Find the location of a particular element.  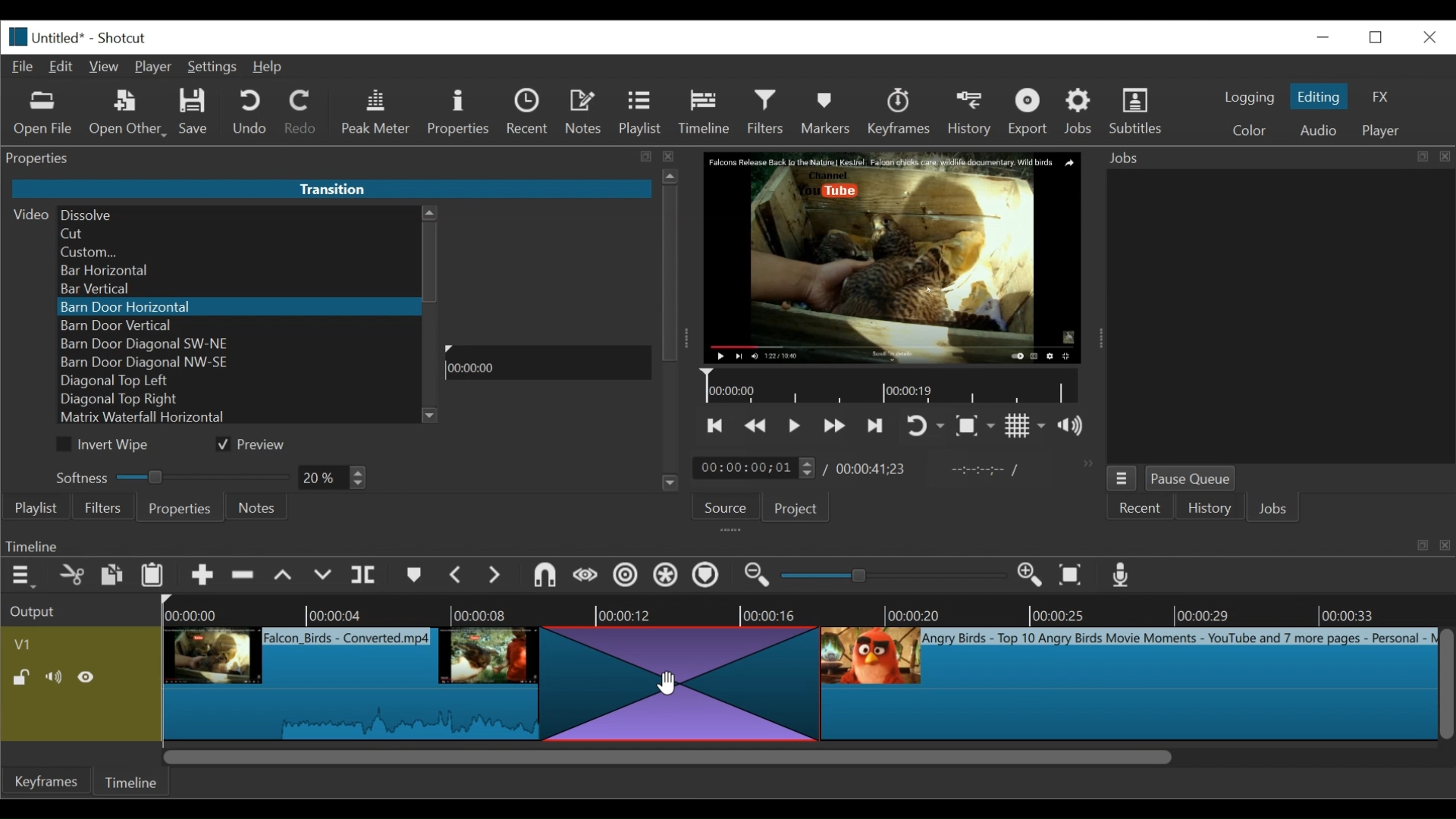

(un)check Preview is located at coordinates (257, 444).